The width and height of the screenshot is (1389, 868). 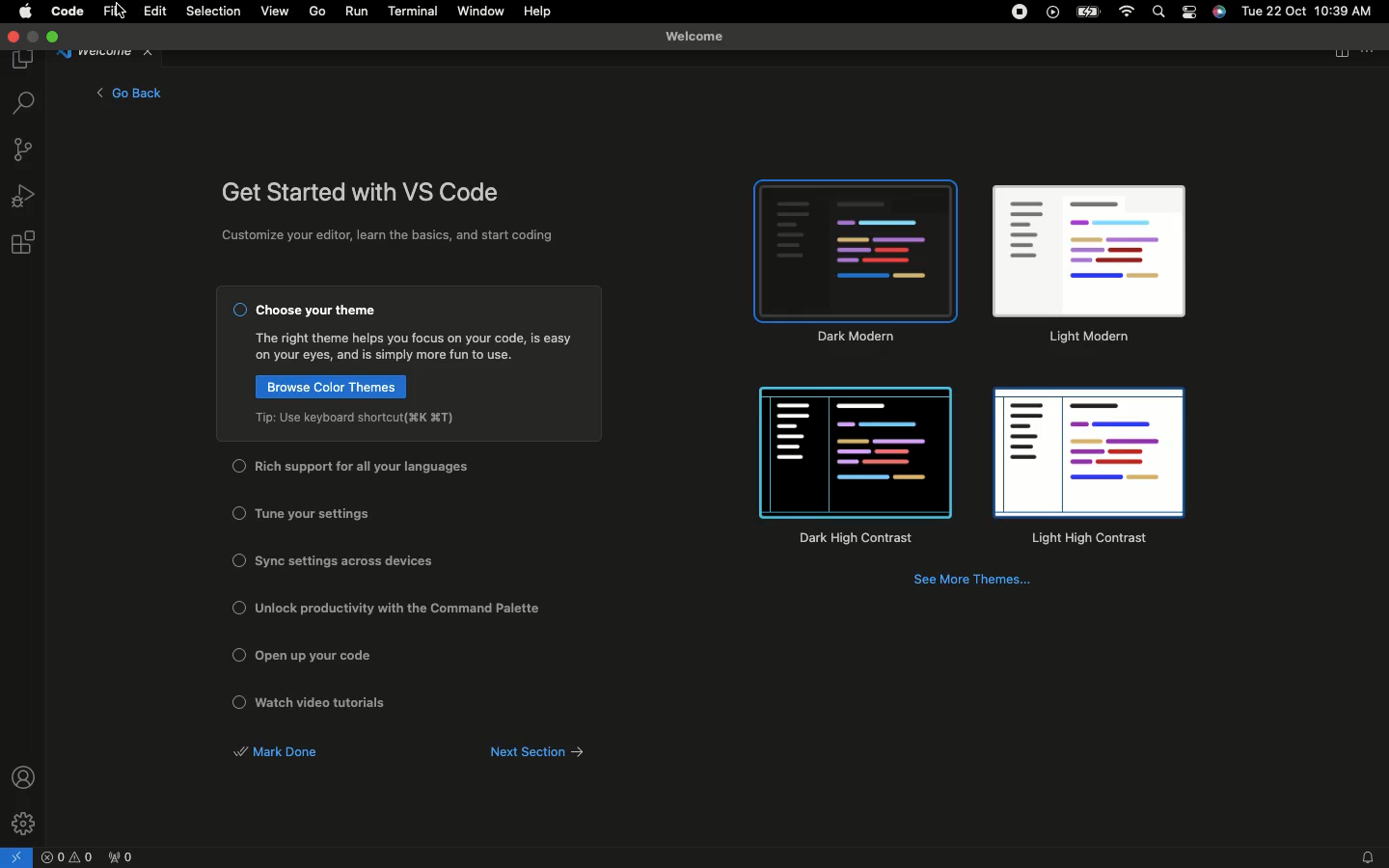 What do you see at coordinates (325, 656) in the screenshot?
I see `Open up your code` at bounding box center [325, 656].